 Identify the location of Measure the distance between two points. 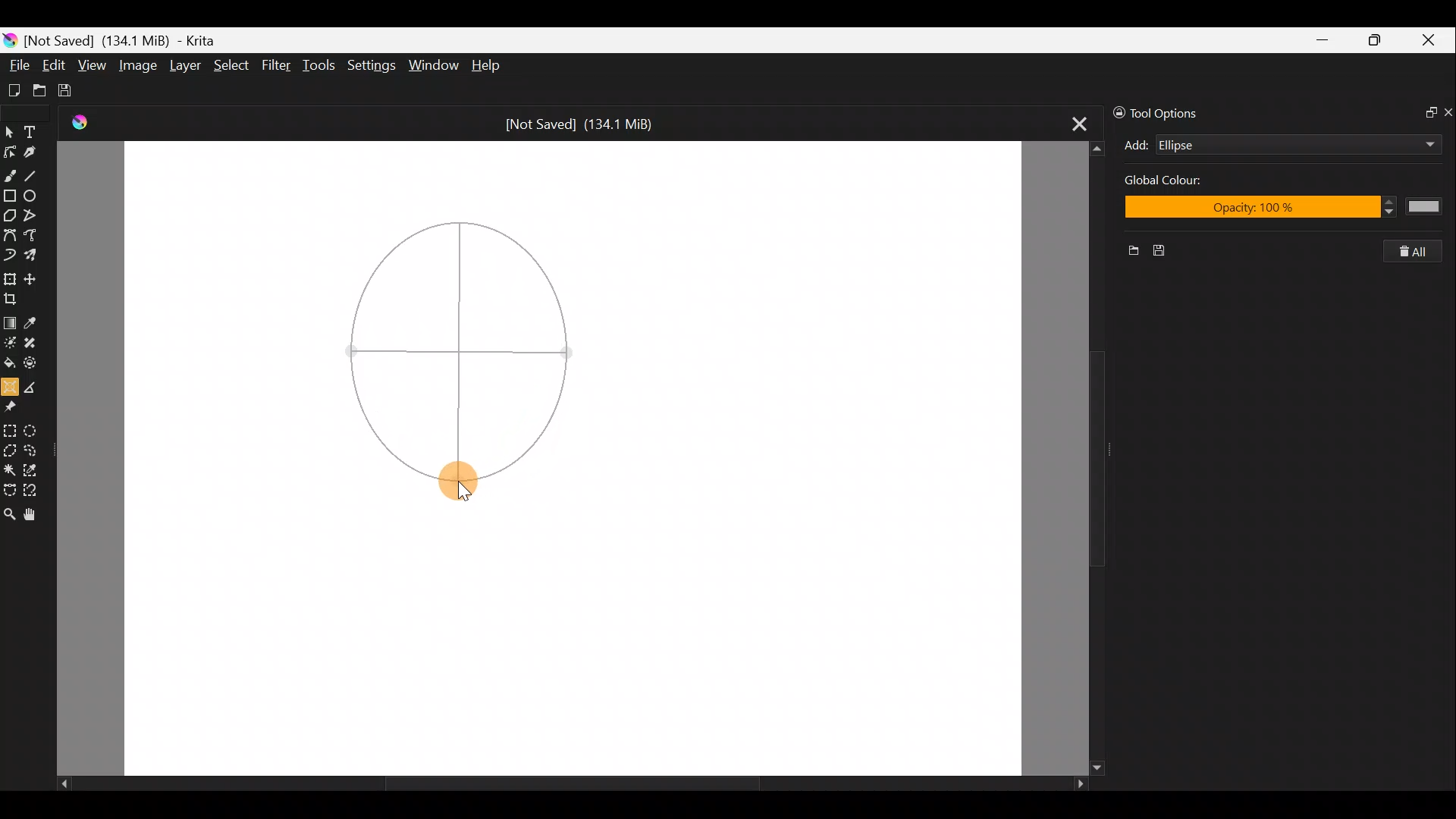
(36, 386).